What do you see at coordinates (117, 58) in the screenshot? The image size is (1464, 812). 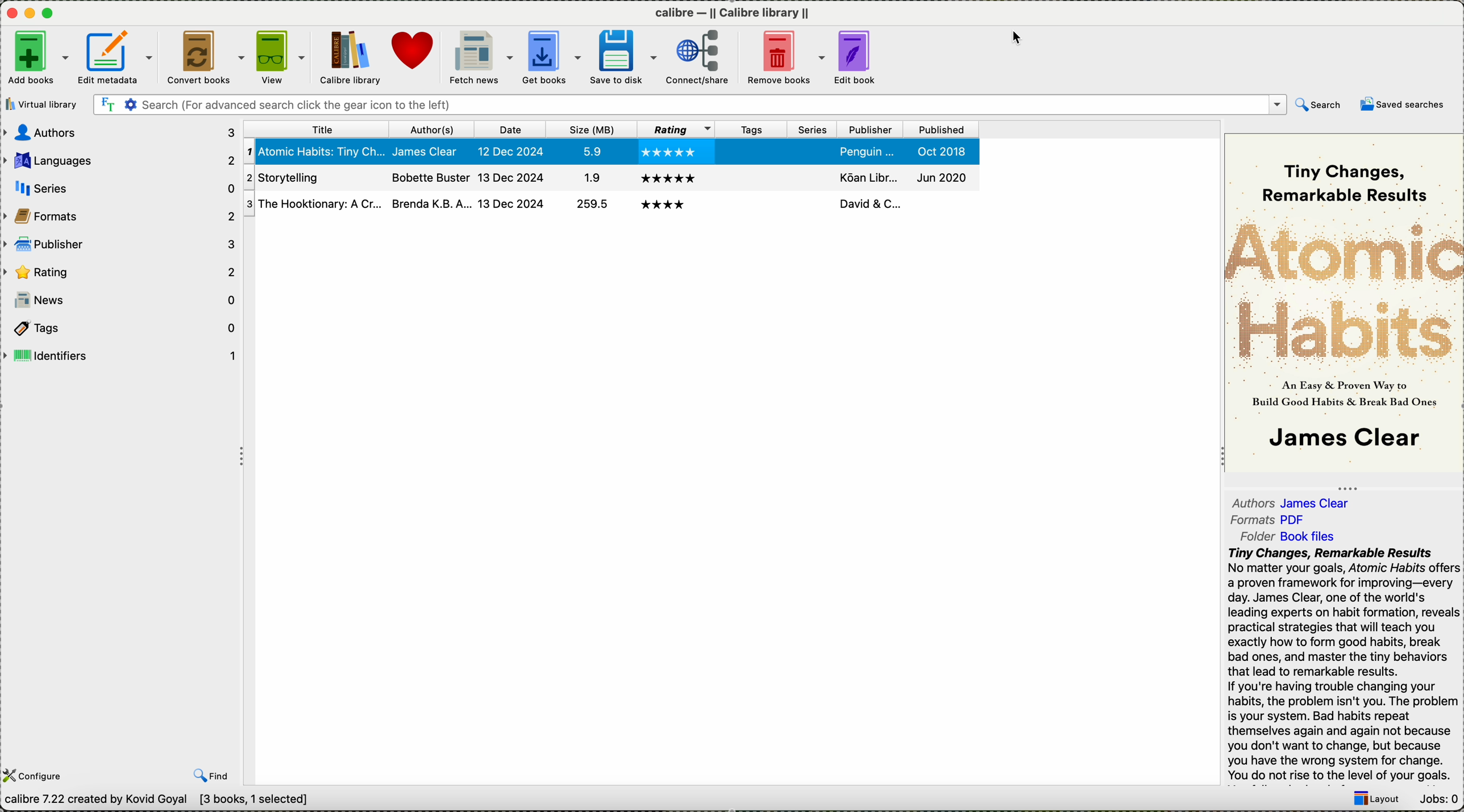 I see `edit metadata` at bounding box center [117, 58].